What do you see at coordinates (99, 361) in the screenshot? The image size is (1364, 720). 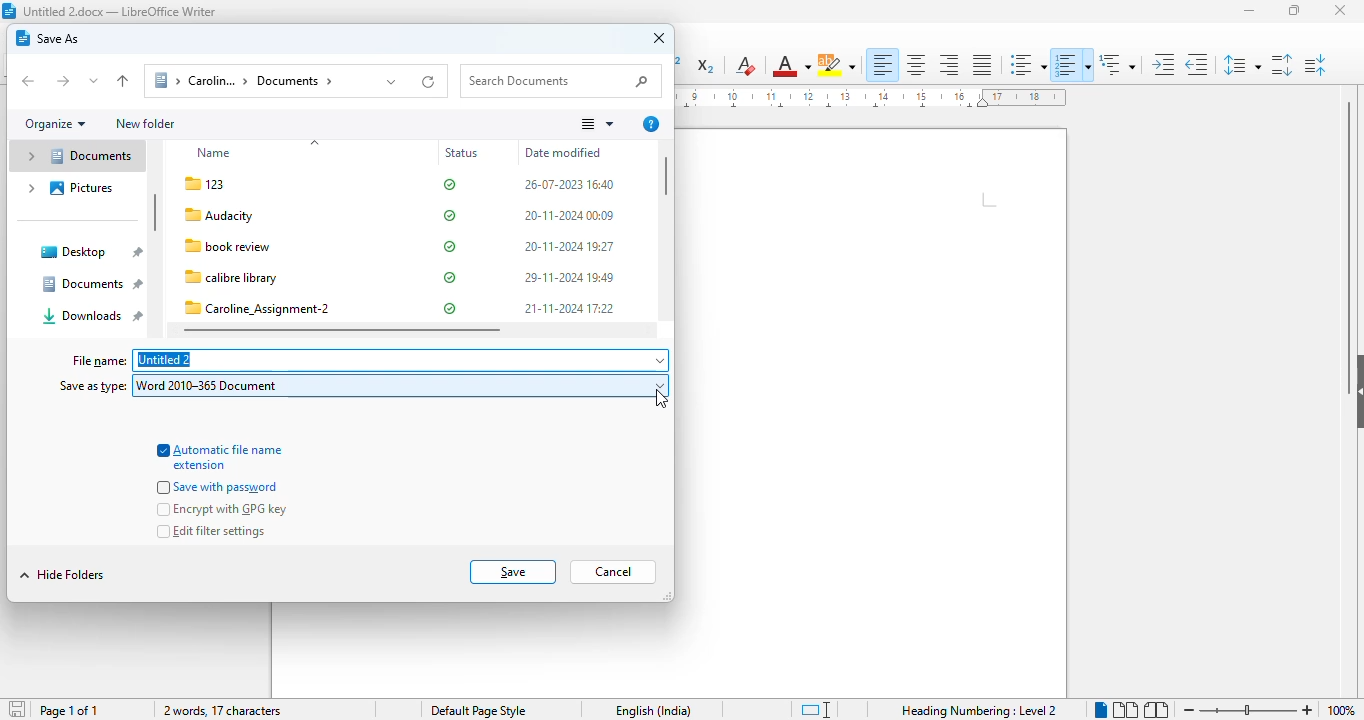 I see `file name: ` at bounding box center [99, 361].